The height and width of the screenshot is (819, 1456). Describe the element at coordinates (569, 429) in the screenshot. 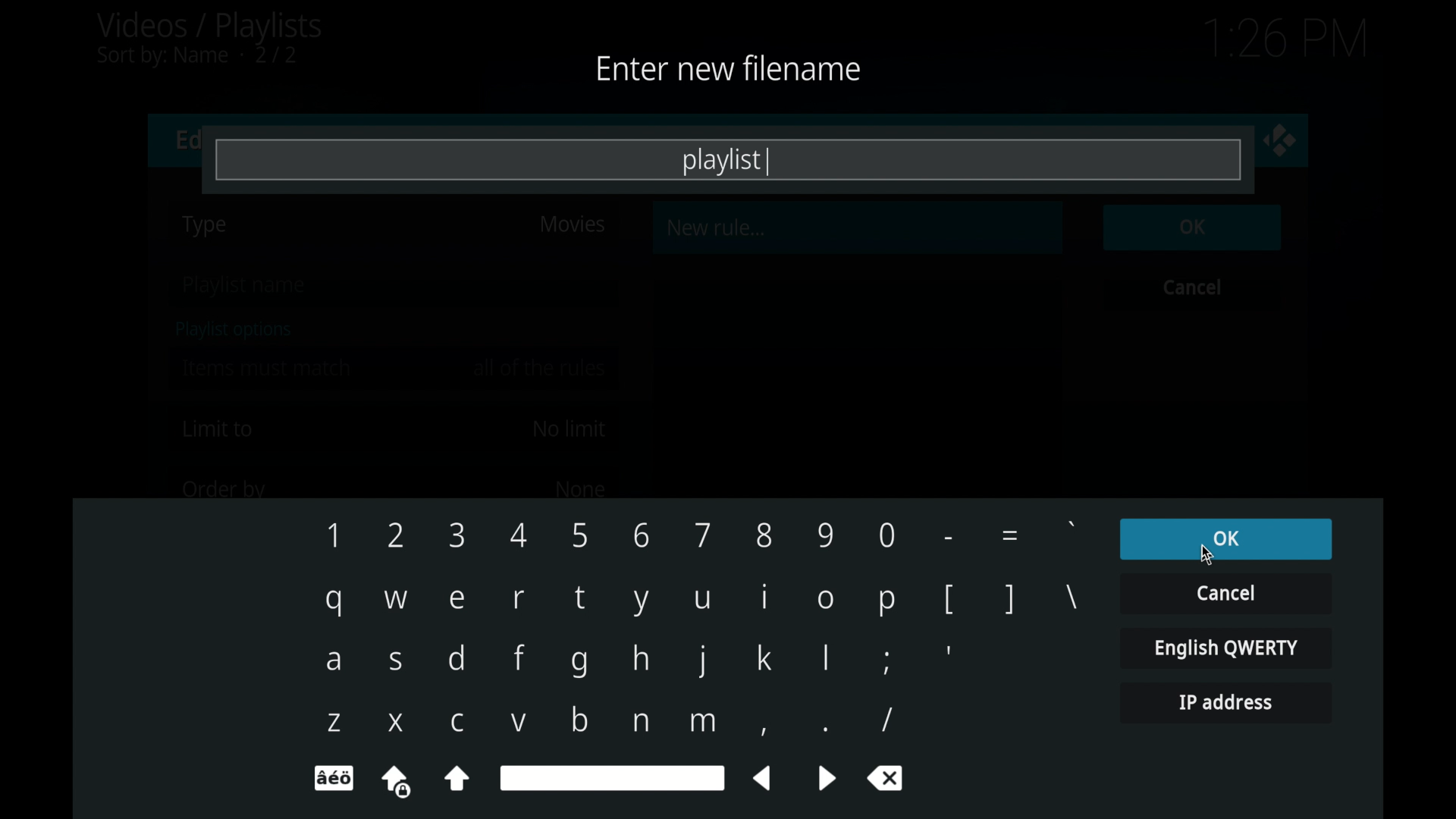

I see `no limit` at that location.